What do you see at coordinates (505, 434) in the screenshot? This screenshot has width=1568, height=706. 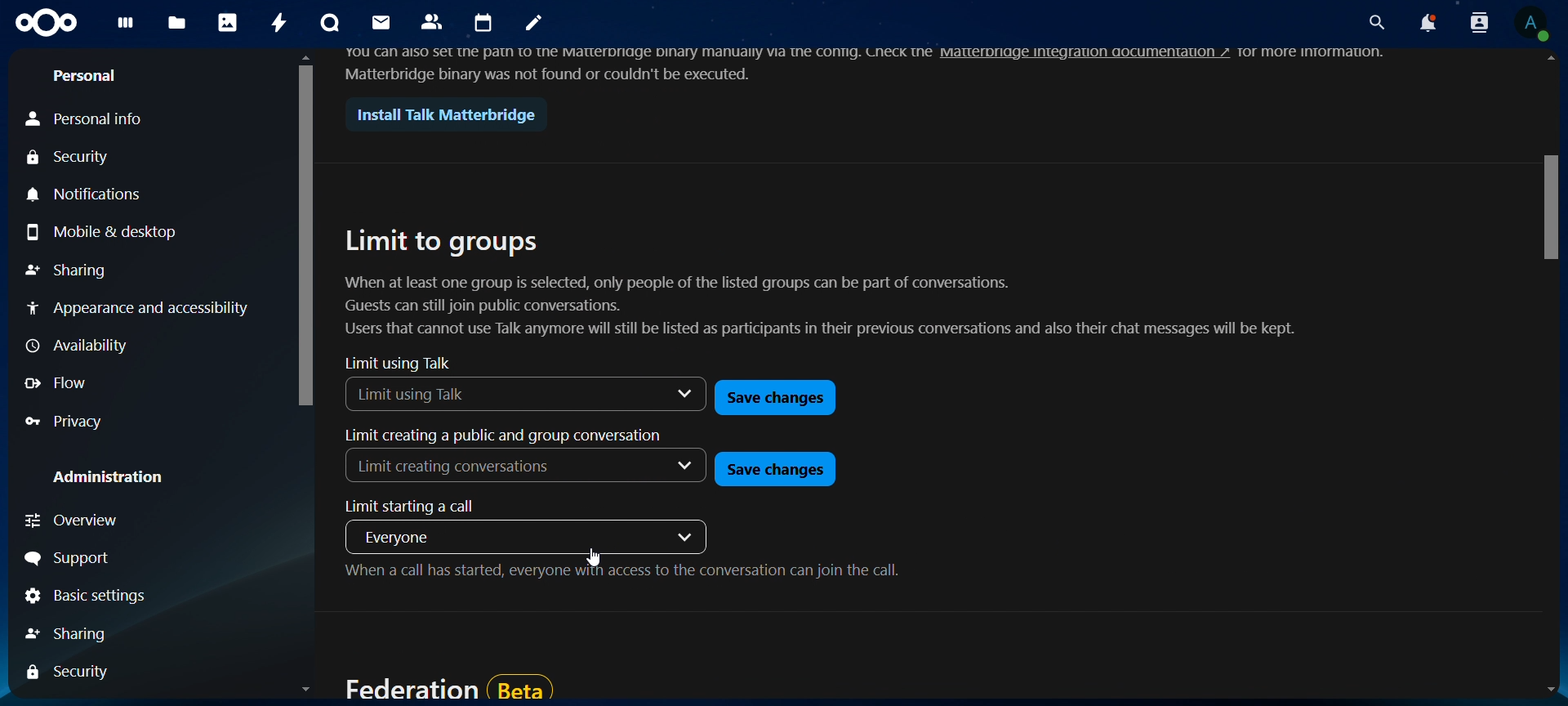 I see `limit creating a public  and group conversation` at bounding box center [505, 434].